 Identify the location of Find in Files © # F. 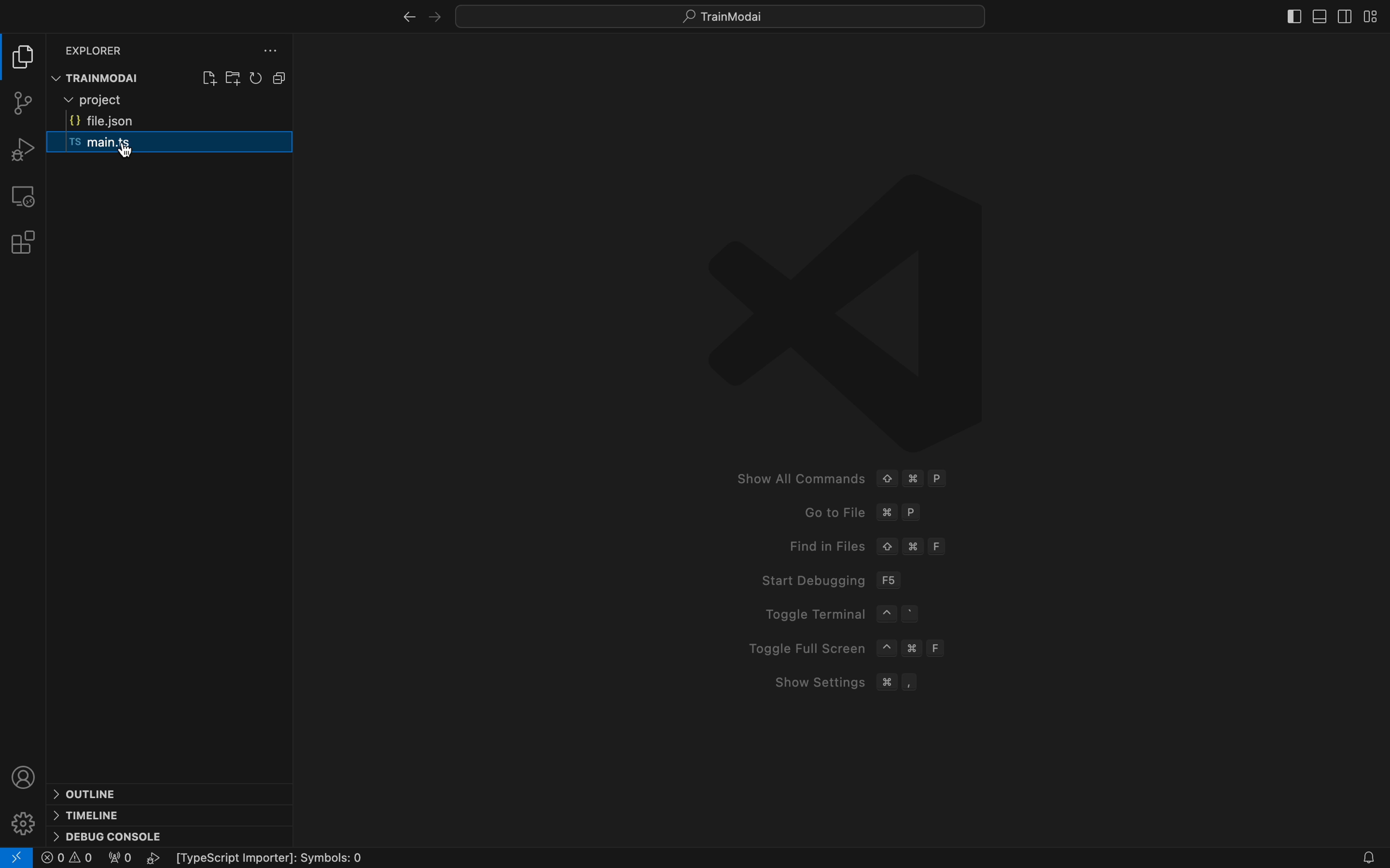
(866, 548).